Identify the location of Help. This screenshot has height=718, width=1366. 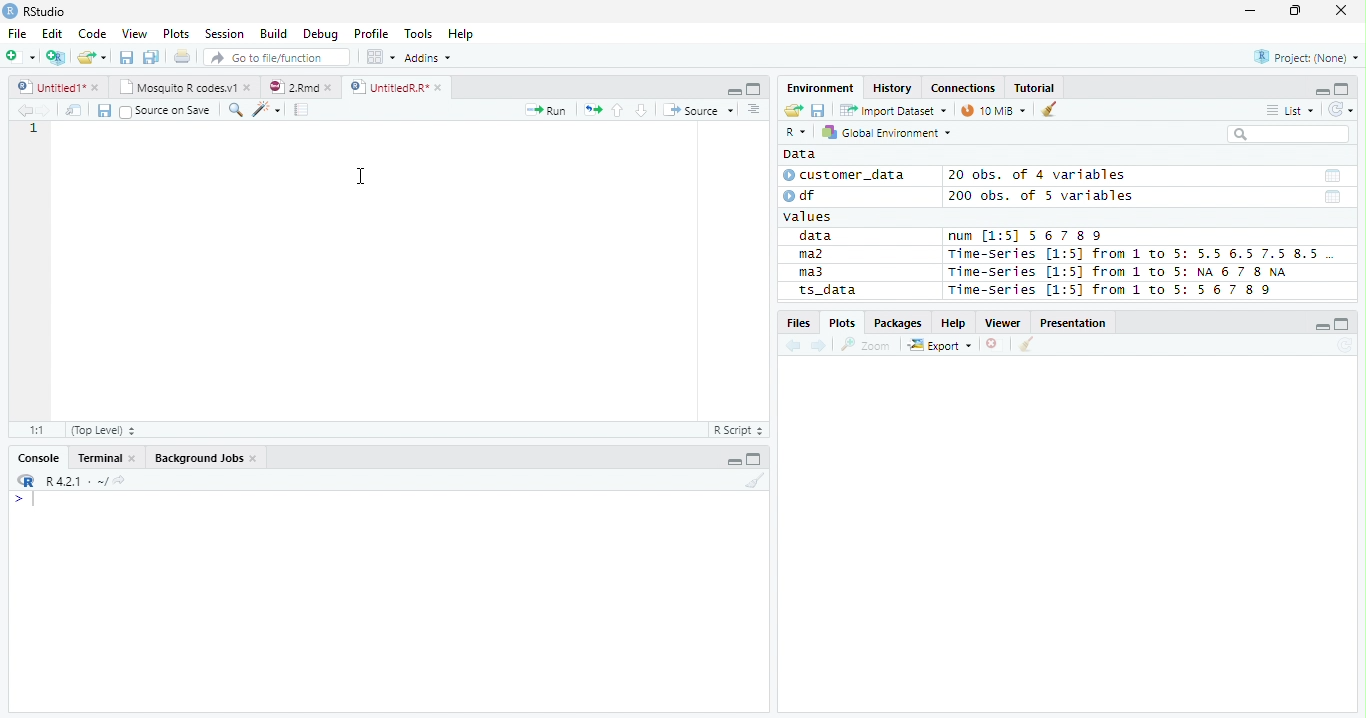
(463, 34).